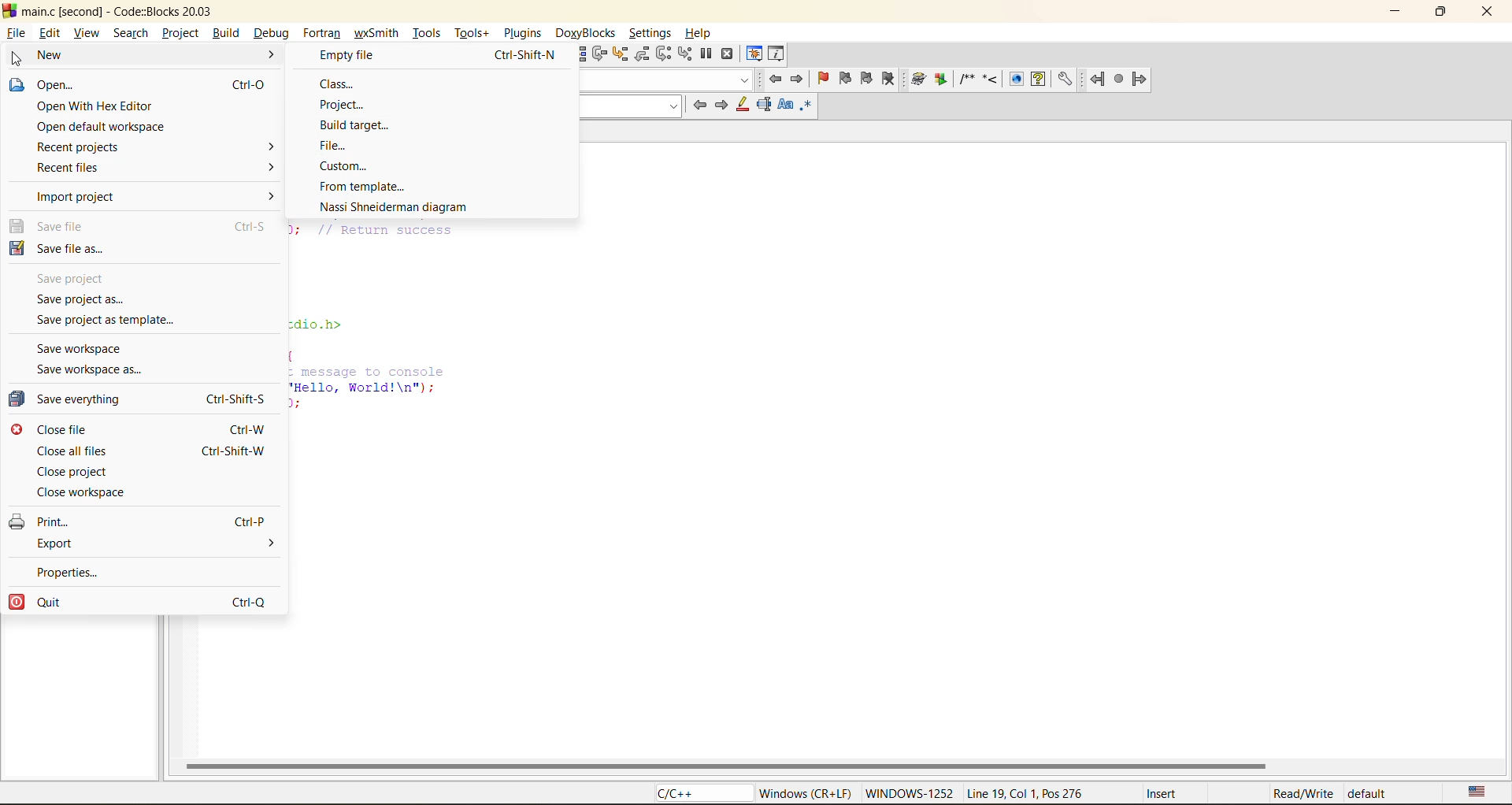 The width and height of the screenshot is (1512, 805). What do you see at coordinates (80, 198) in the screenshot?
I see `import project` at bounding box center [80, 198].